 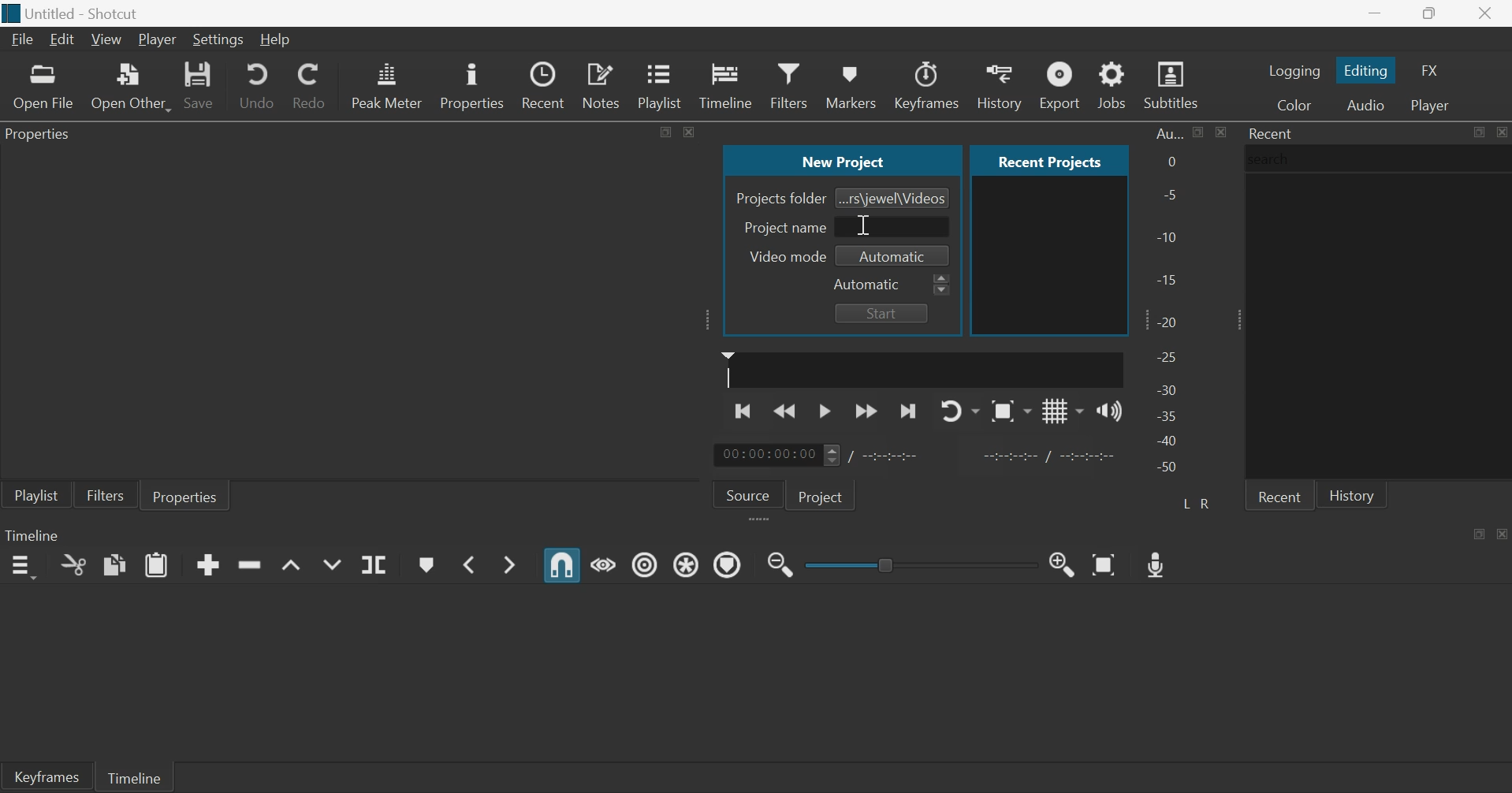 I want to click on Play quickly backwards, so click(x=786, y=410).